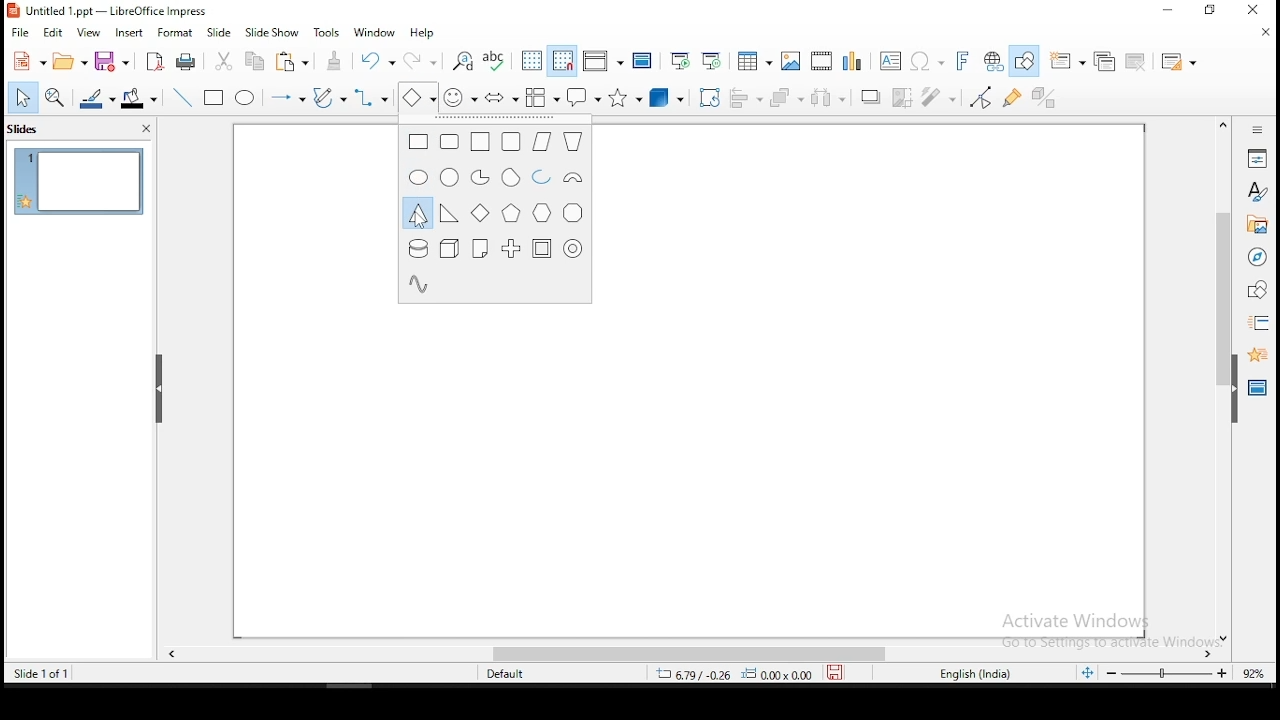 Image resolution: width=1280 pixels, height=720 pixels. I want to click on new slide, so click(1069, 60).